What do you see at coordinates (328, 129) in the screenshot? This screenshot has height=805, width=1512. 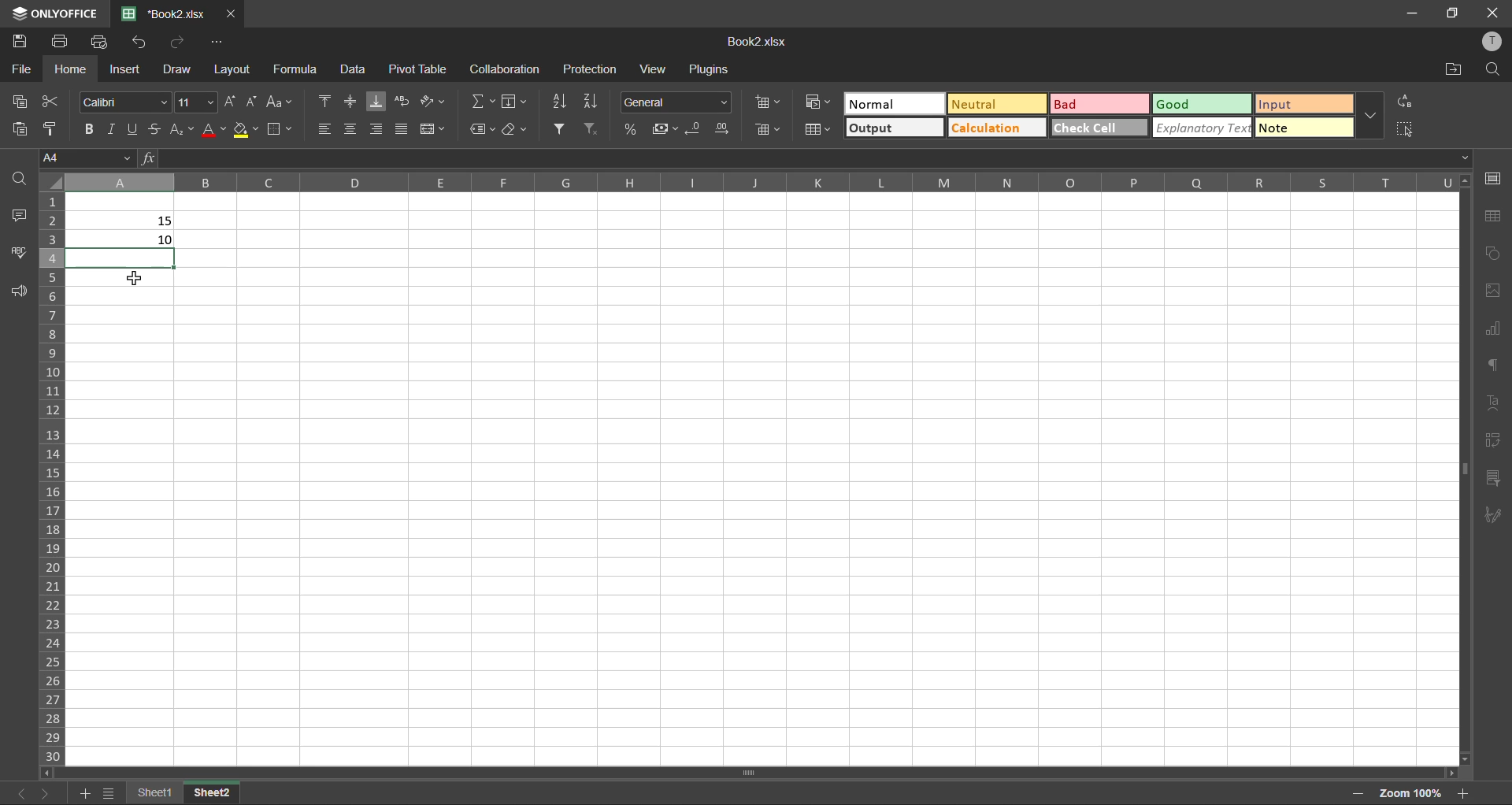 I see `align left` at bounding box center [328, 129].